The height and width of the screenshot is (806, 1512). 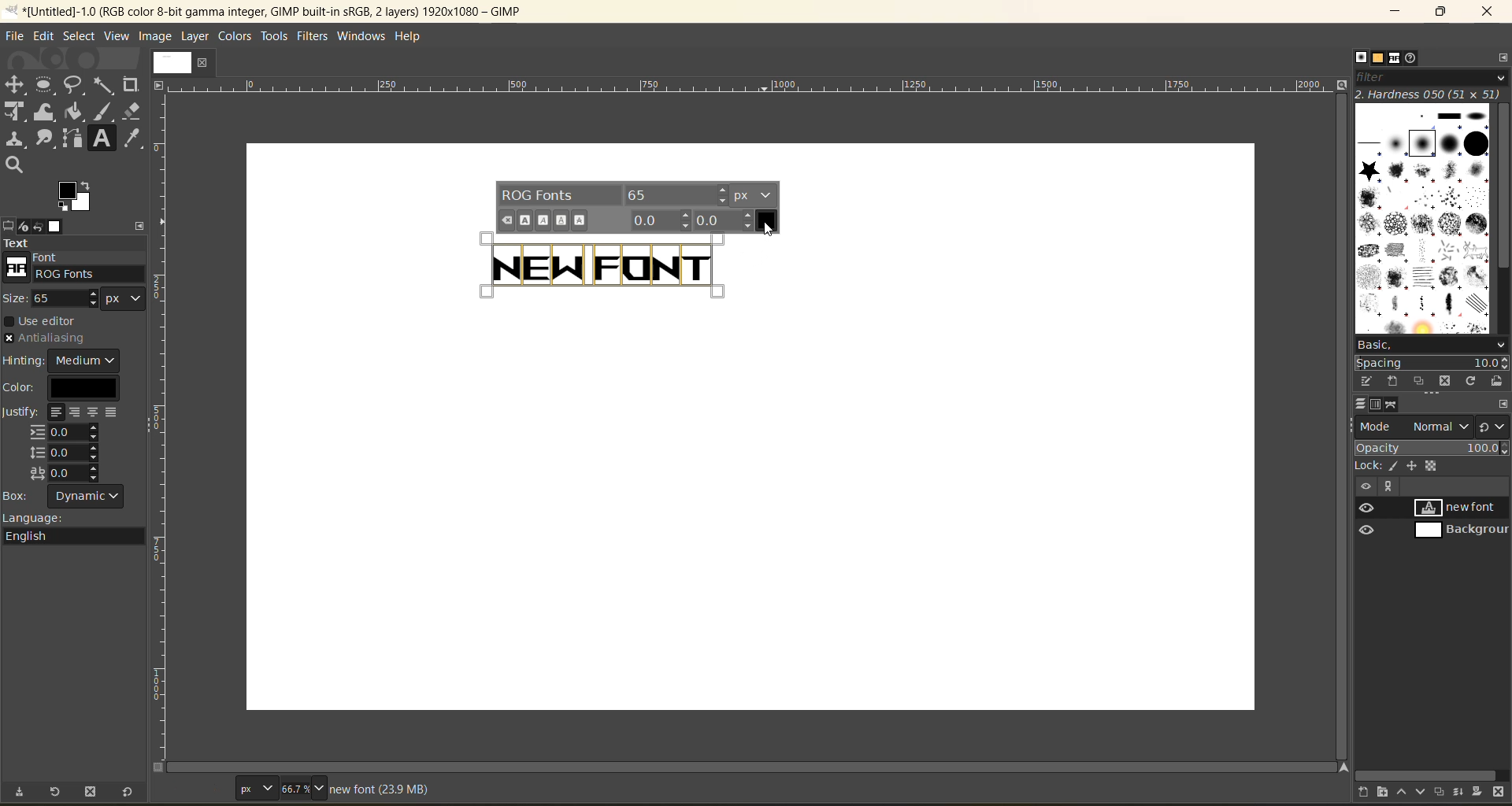 I want to click on configure, so click(x=1503, y=405).